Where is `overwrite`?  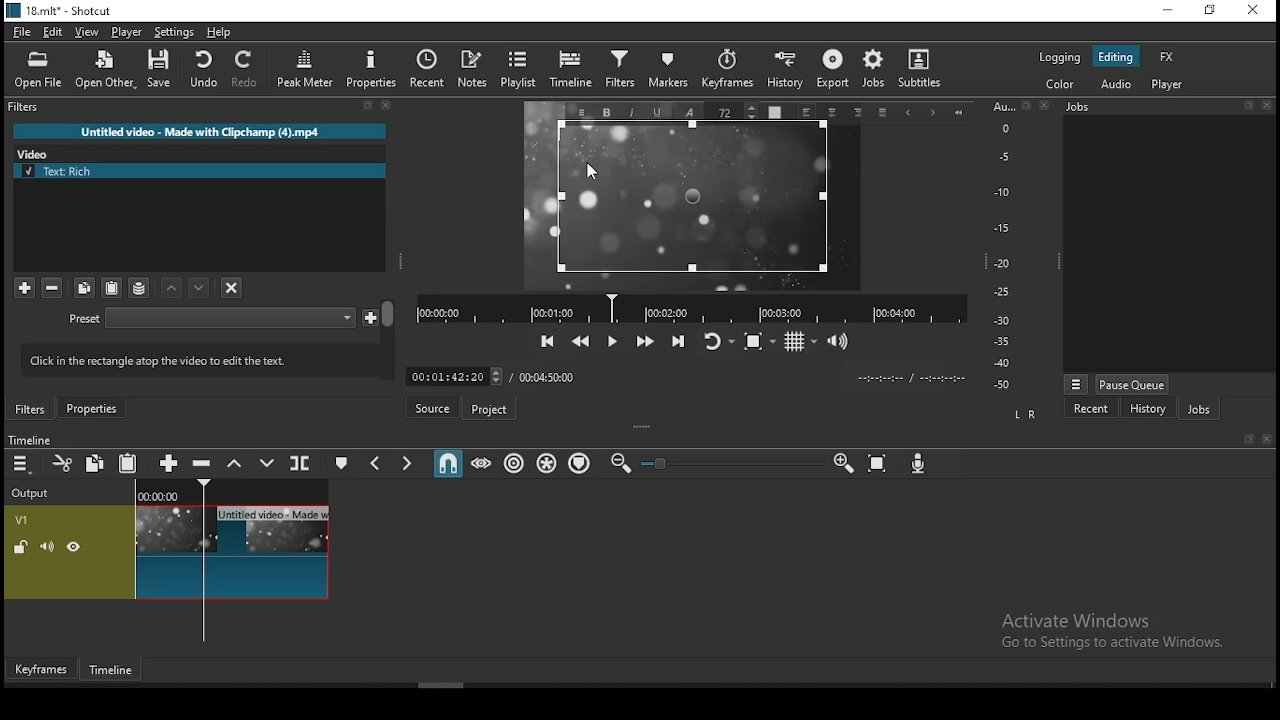
overwrite is located at coordinates (266, 462).